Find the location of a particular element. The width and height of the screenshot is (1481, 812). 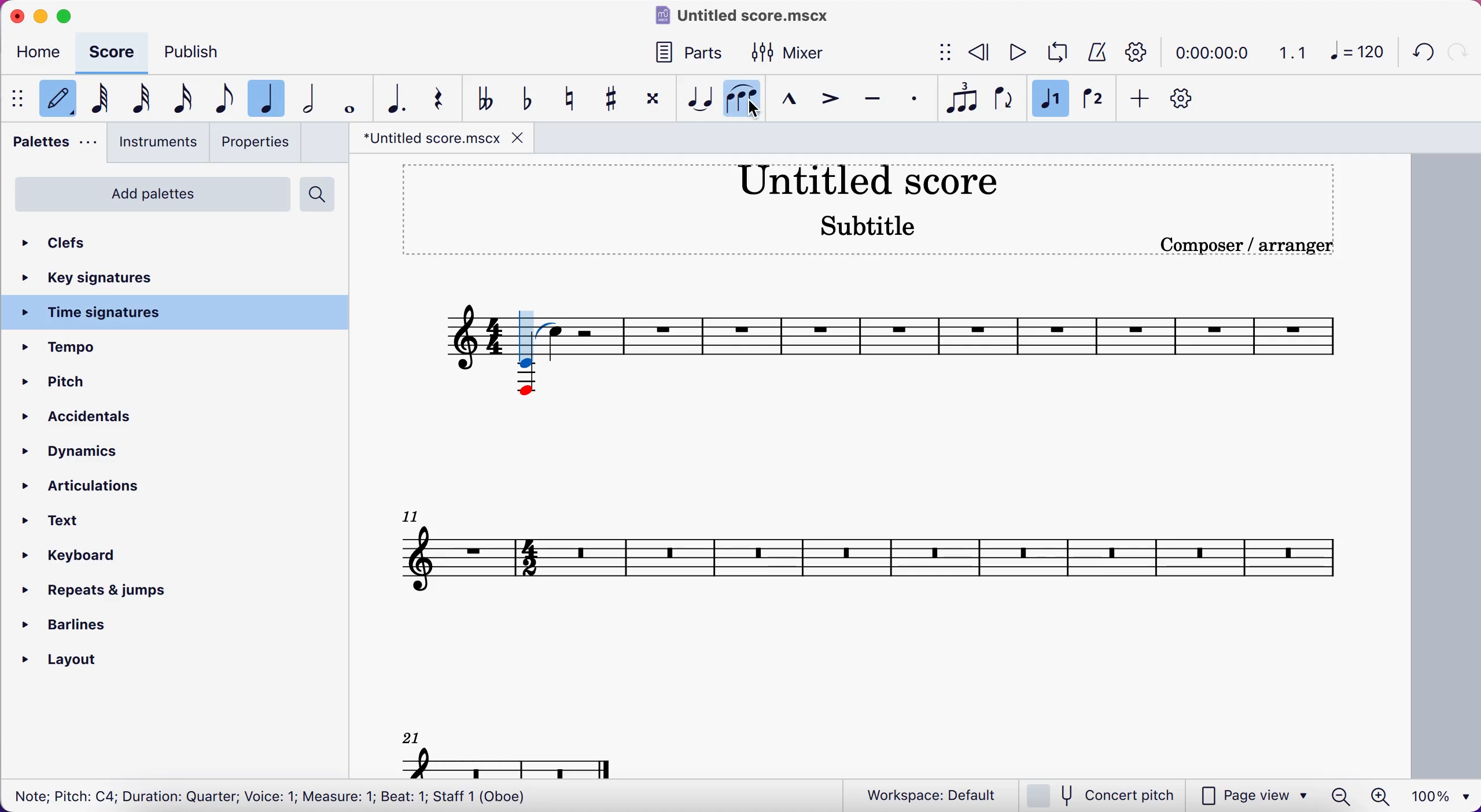

toggle flat is located at coordinates (526, 100).